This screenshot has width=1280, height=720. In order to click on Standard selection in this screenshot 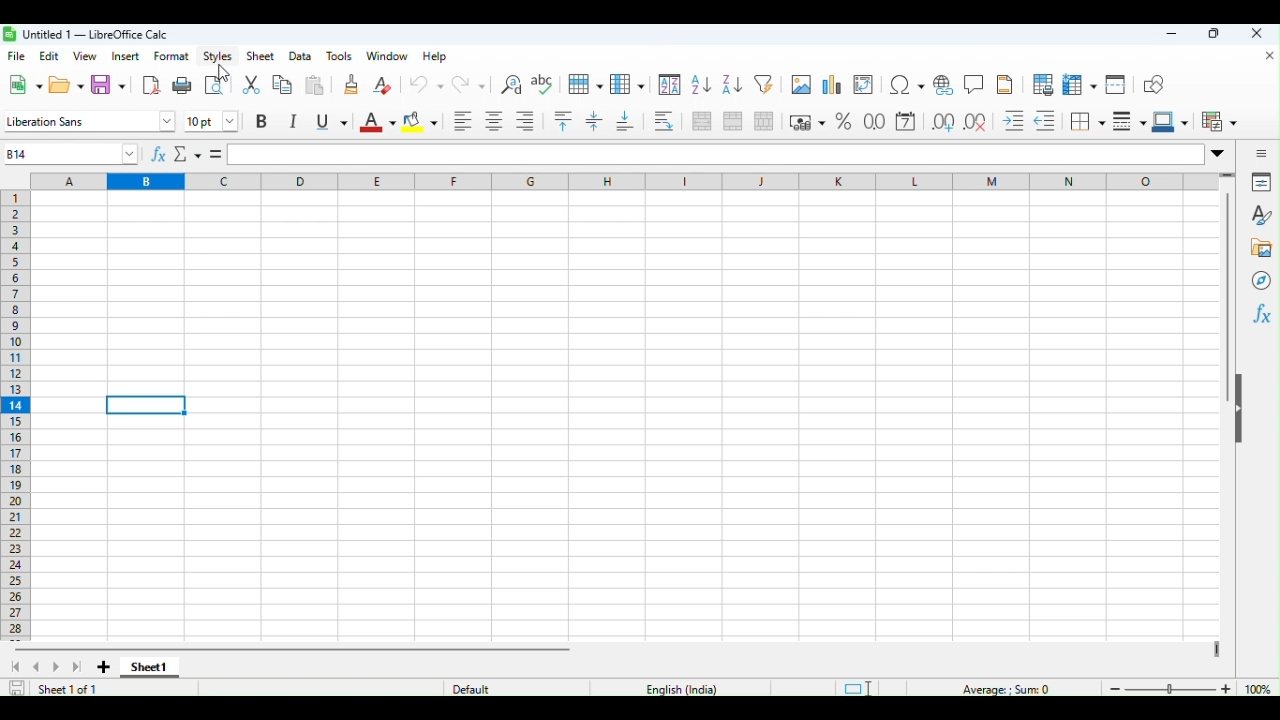, I will do `click(856, 686)`.